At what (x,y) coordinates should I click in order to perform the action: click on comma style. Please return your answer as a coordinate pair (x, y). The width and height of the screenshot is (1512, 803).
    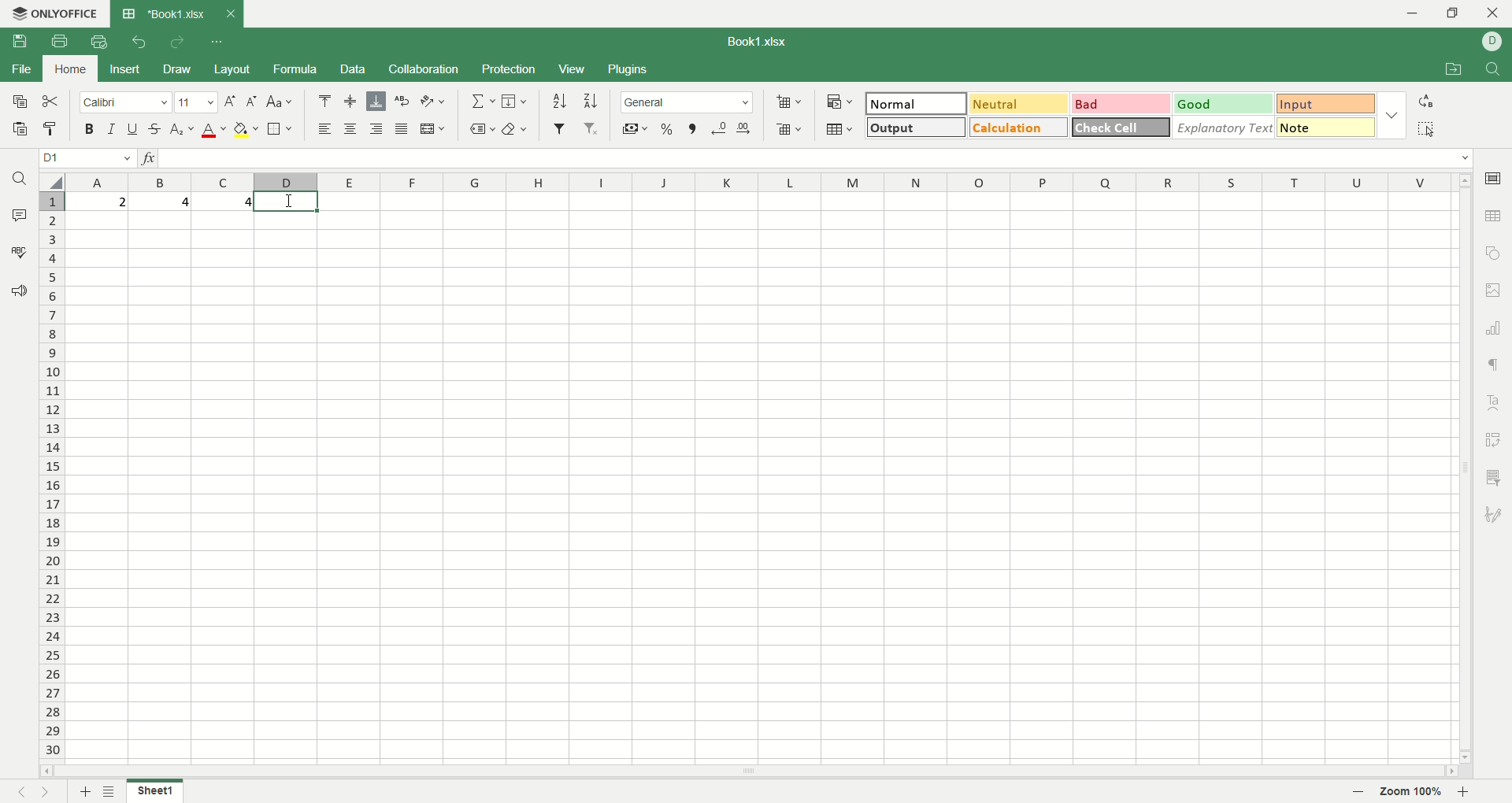
    Looking at the image, I should click on (692, 128).